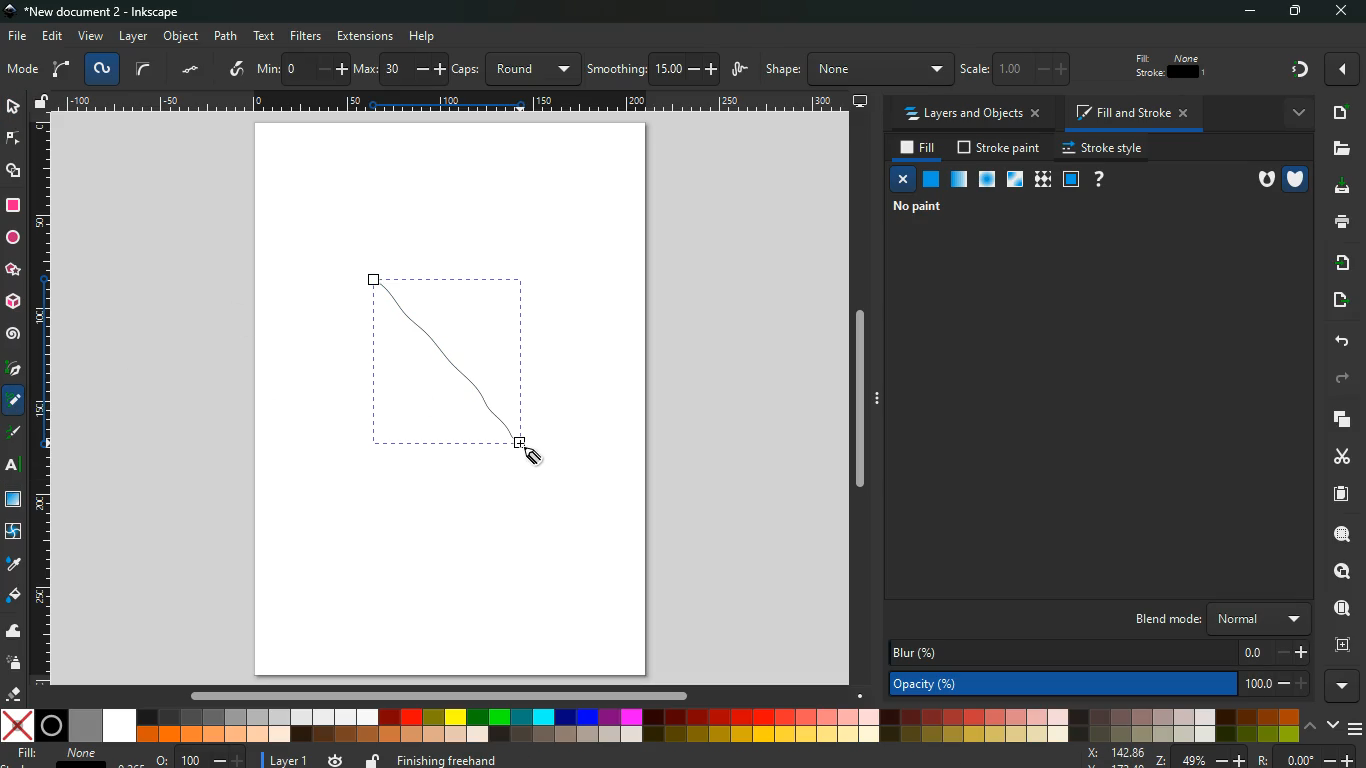 This screenshot has width=1366, height=768. What do you see at coordinates (515, 69) in the screenshot?
I see `caps` at bounding box center [515, 69].